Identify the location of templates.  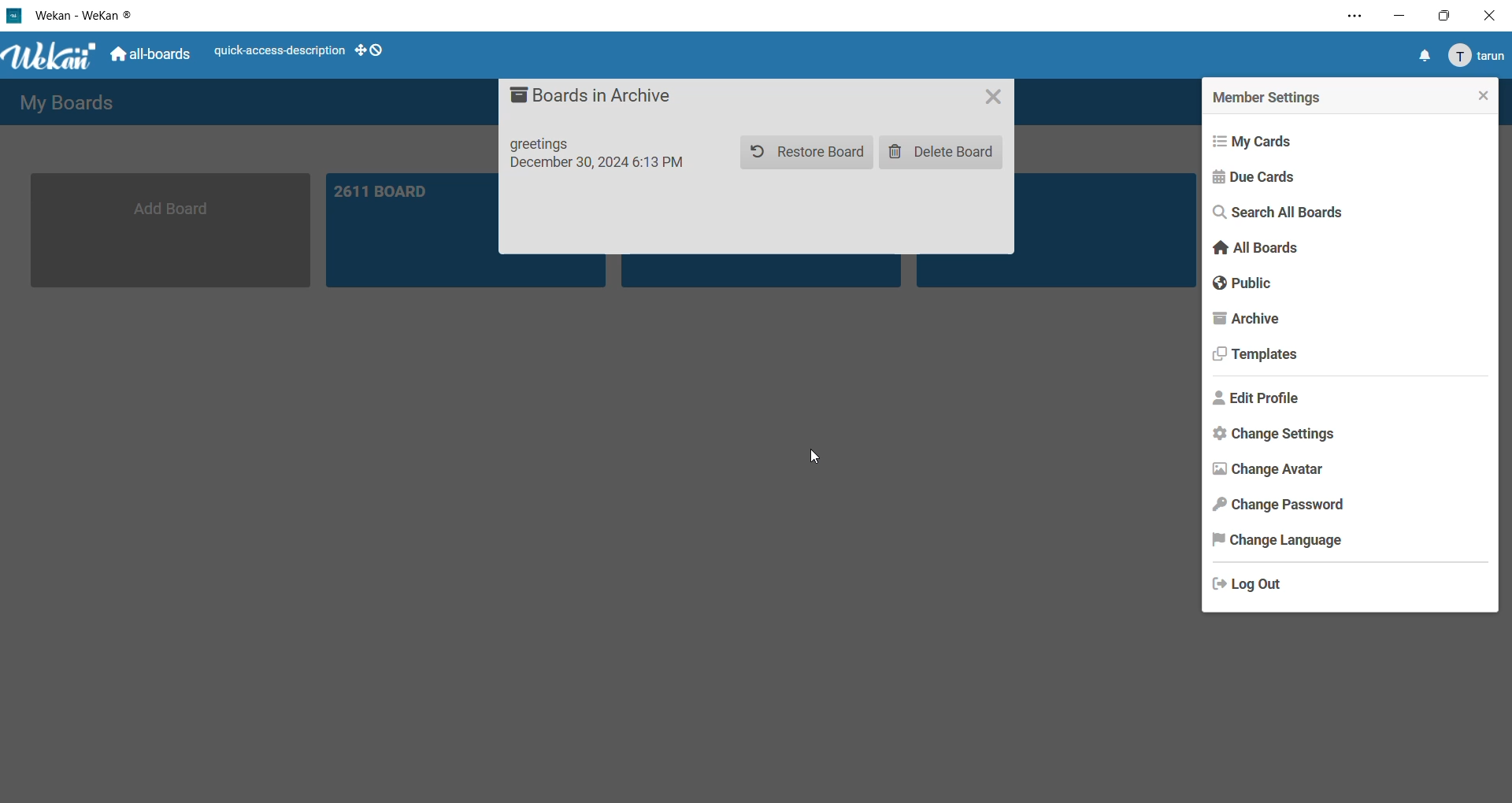
(1254, 356).